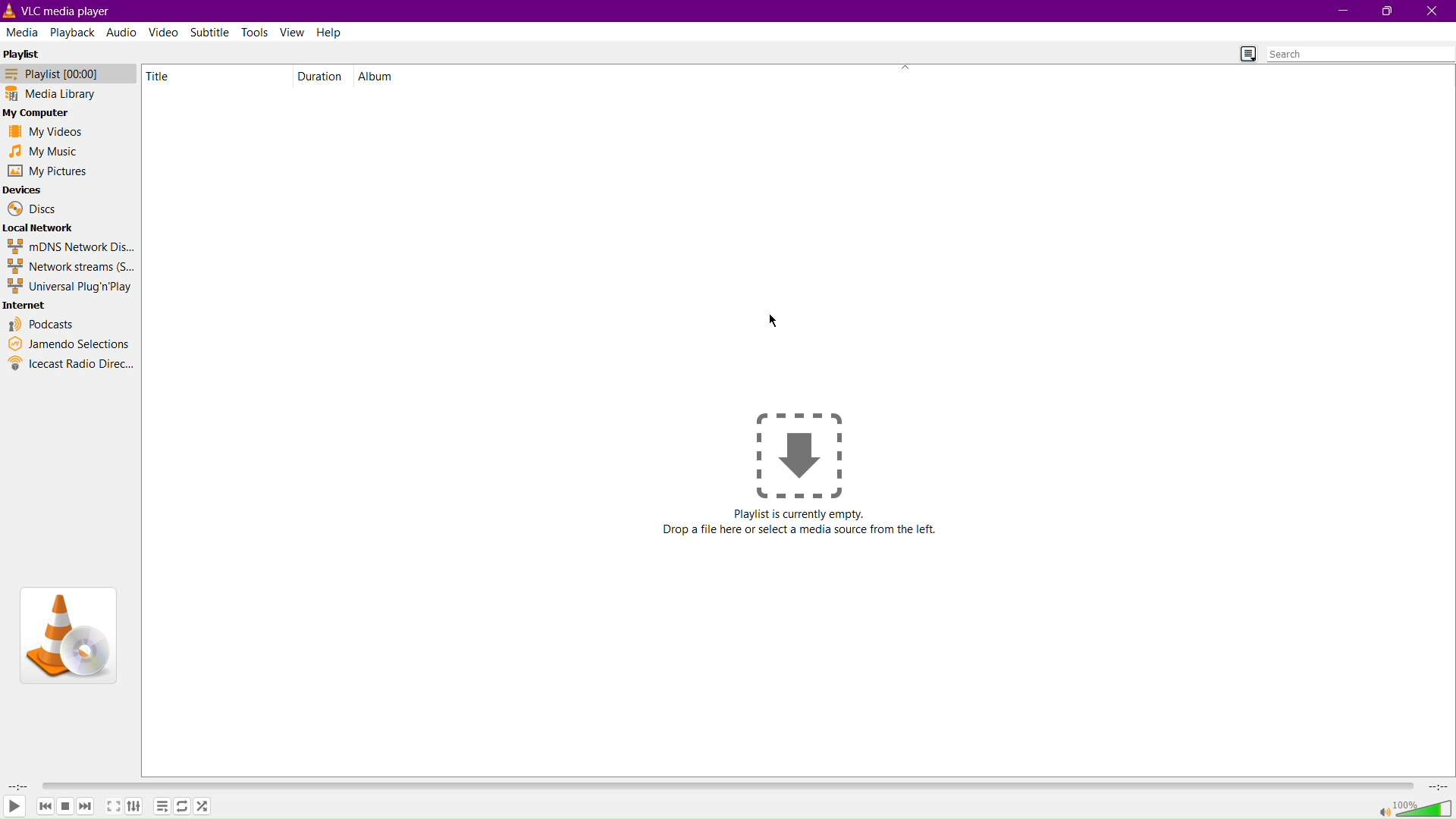  Describe the element at coordinates (27, 52) in the screenshot. I see `Playlist` at that location.